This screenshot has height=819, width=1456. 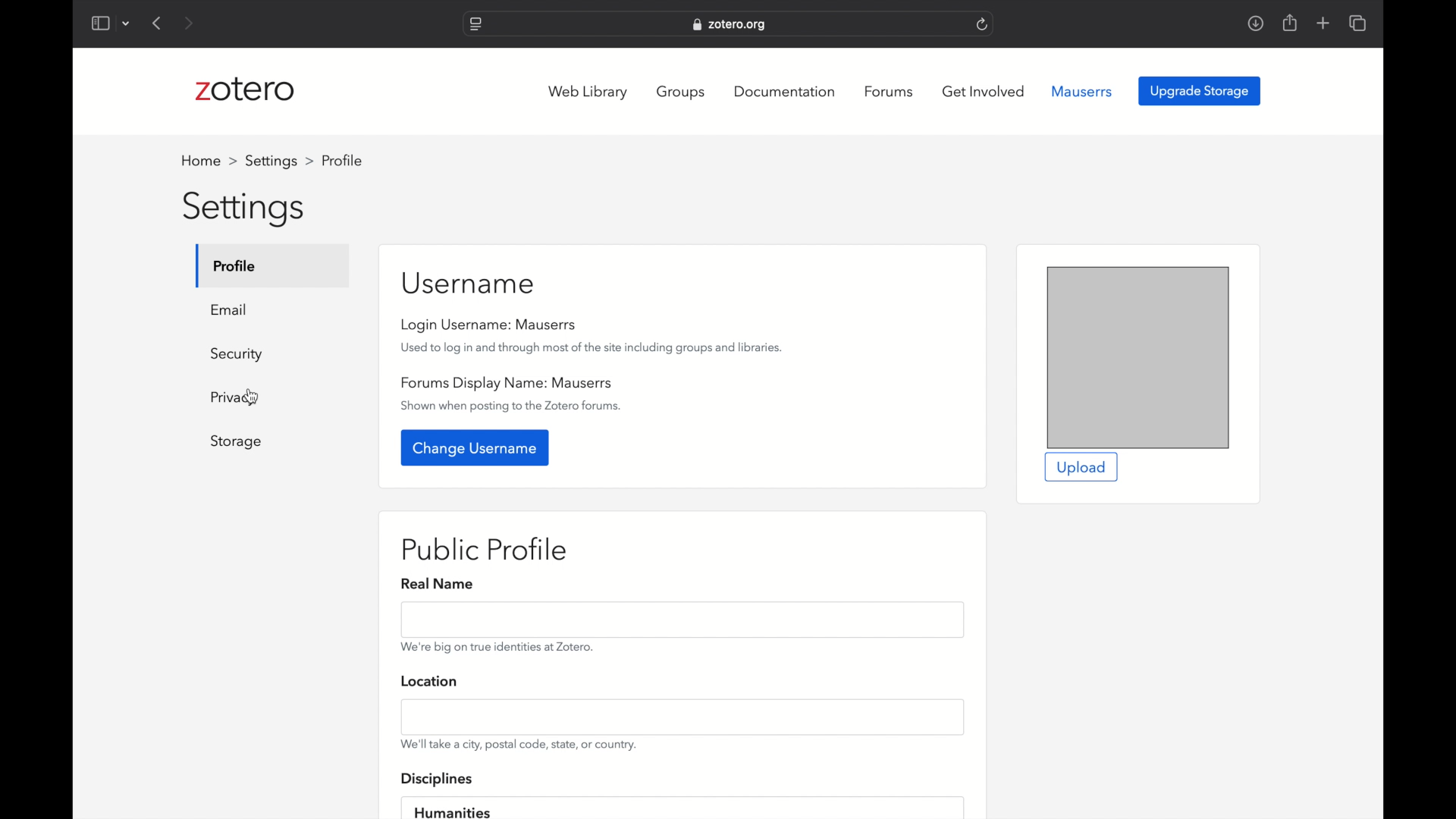 I want to click on public profile, so click(x=486, y=550).